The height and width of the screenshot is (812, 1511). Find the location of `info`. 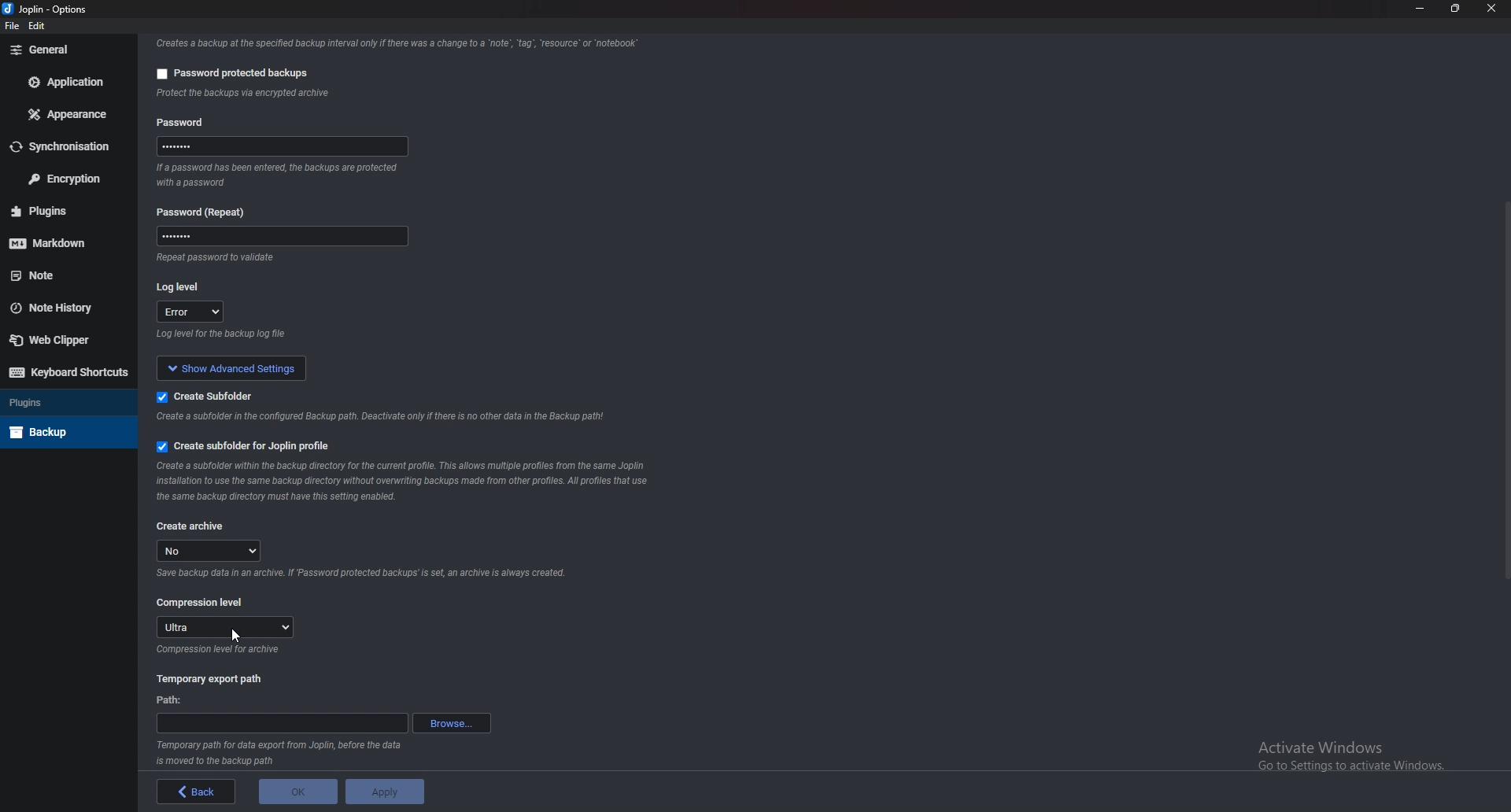

info is located at coordinates (281, 175).